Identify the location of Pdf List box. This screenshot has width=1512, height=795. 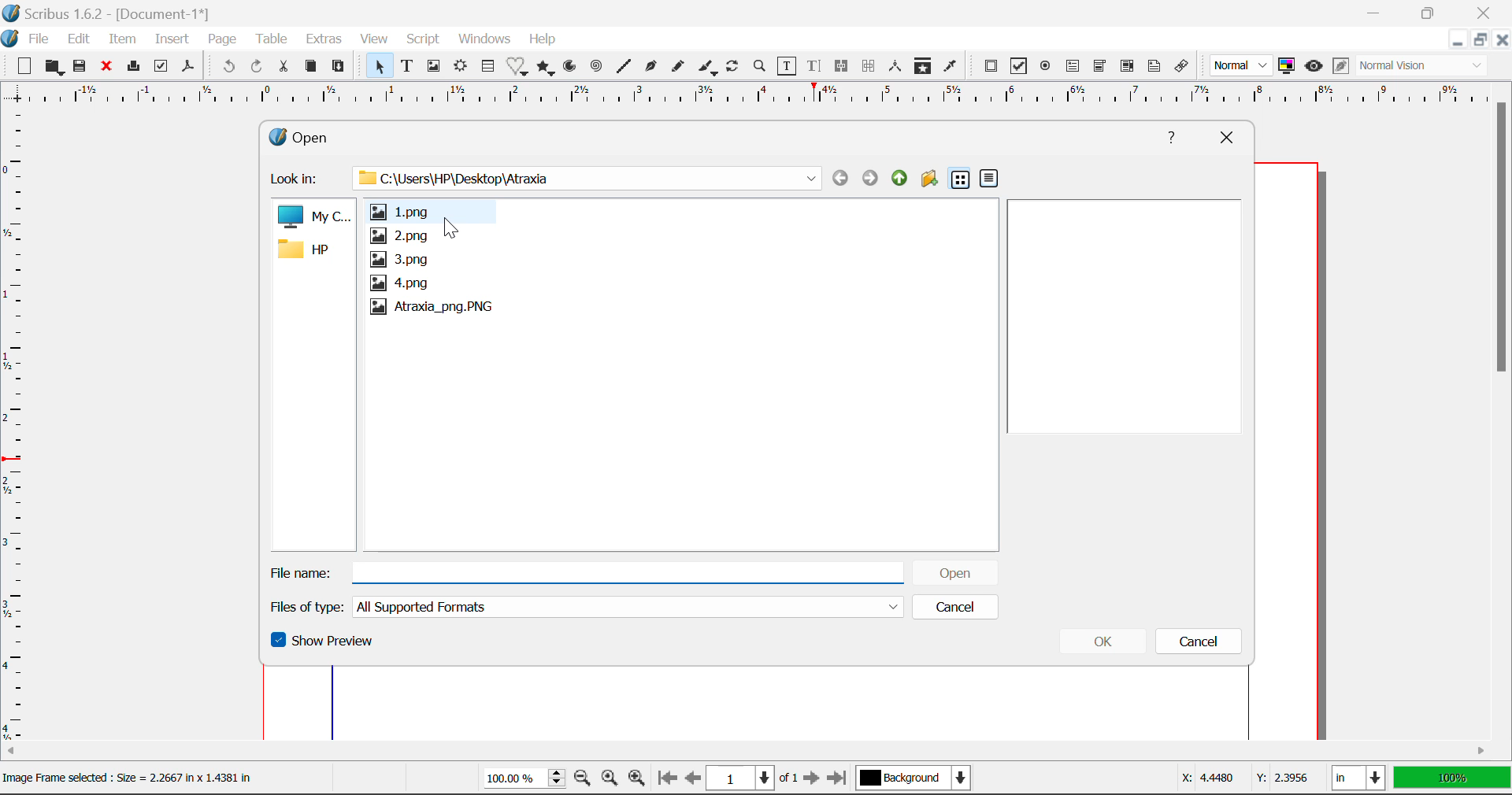
(1128, 68).